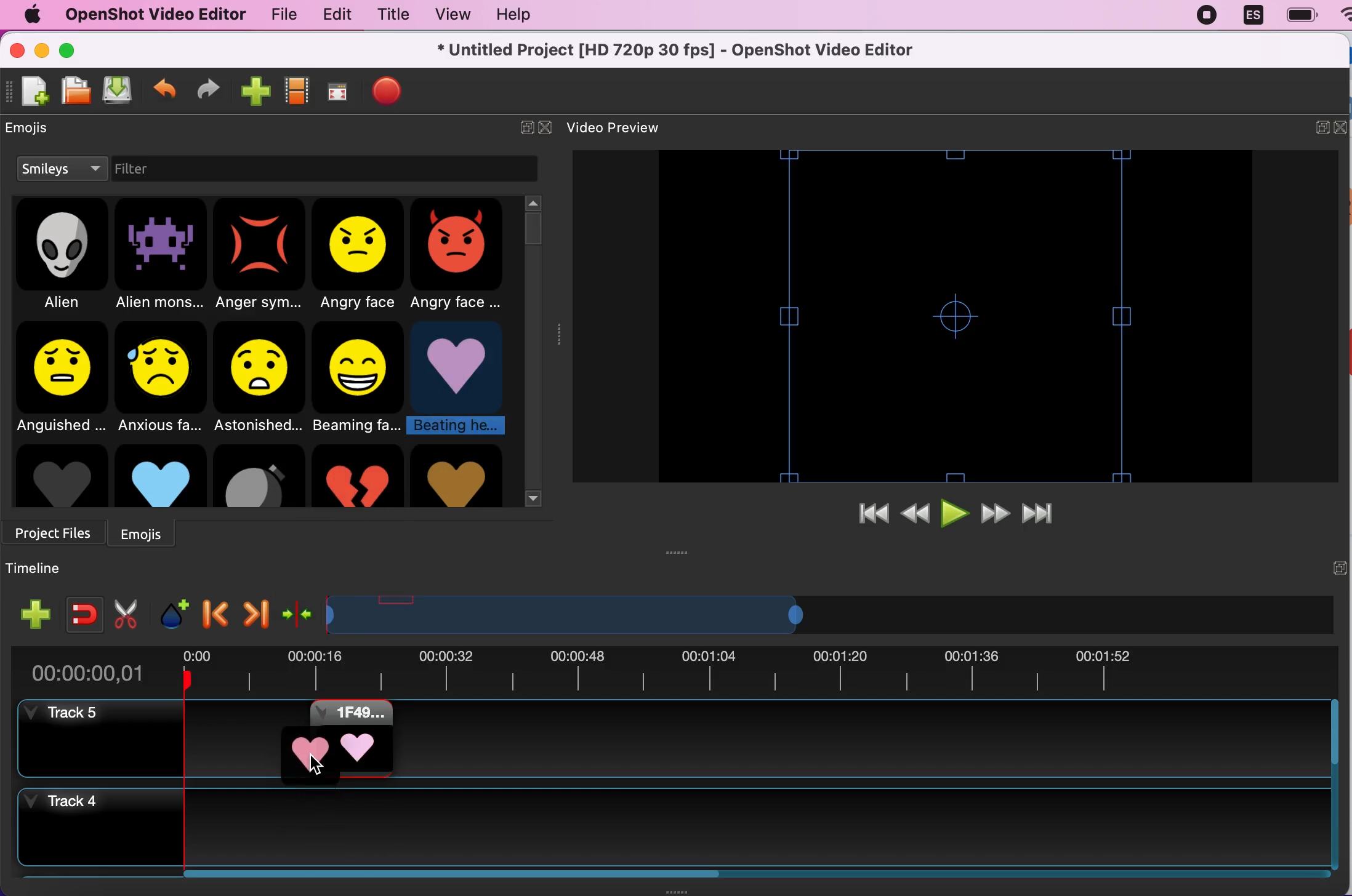 This screenshot has height=896, width=1352. What do you see at coordinates (859, 739) in the screenshot?
I see `track 5` at bounding box center [859, 739].